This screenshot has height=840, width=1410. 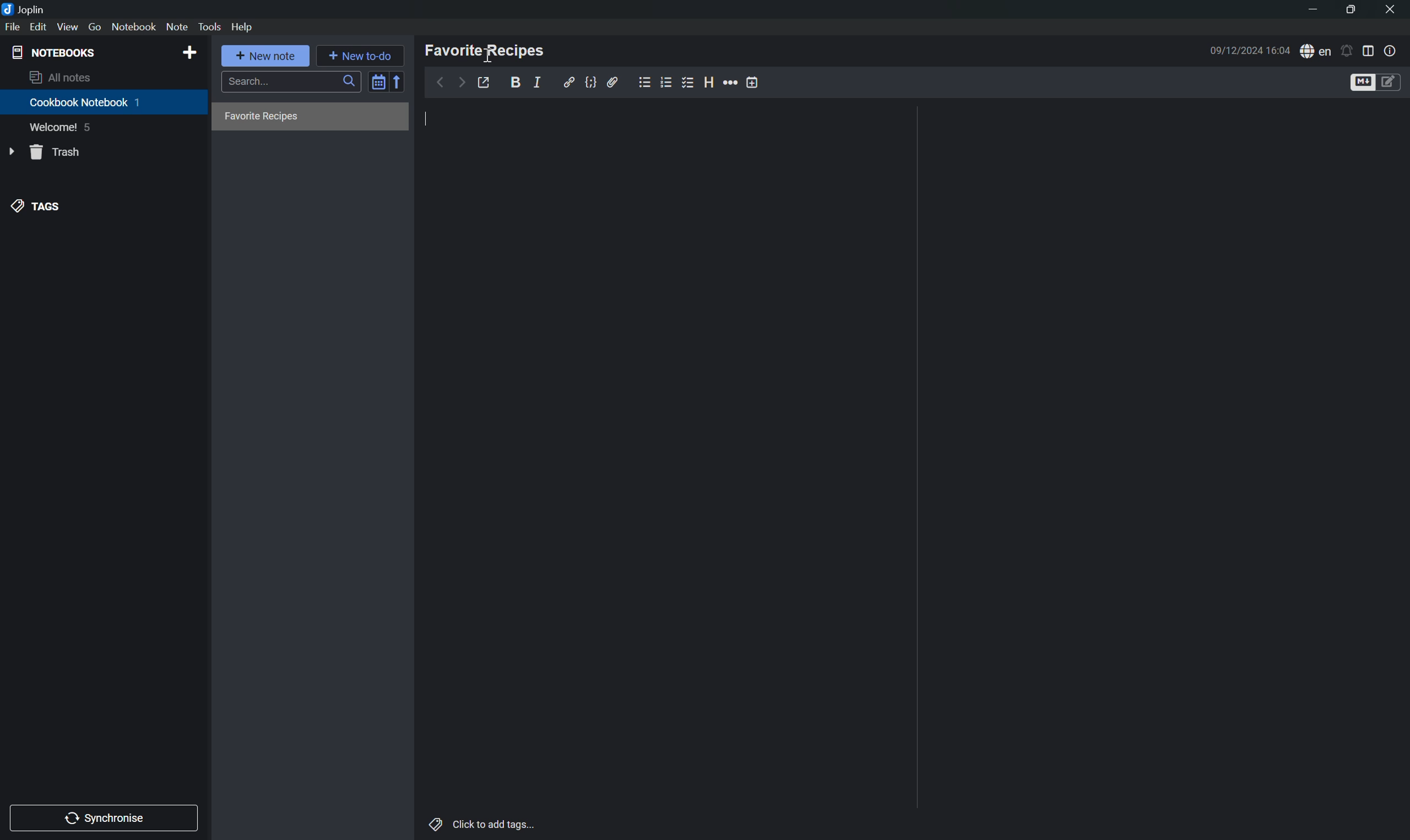 I want to click on Notebook, so click(x=134, y=27).